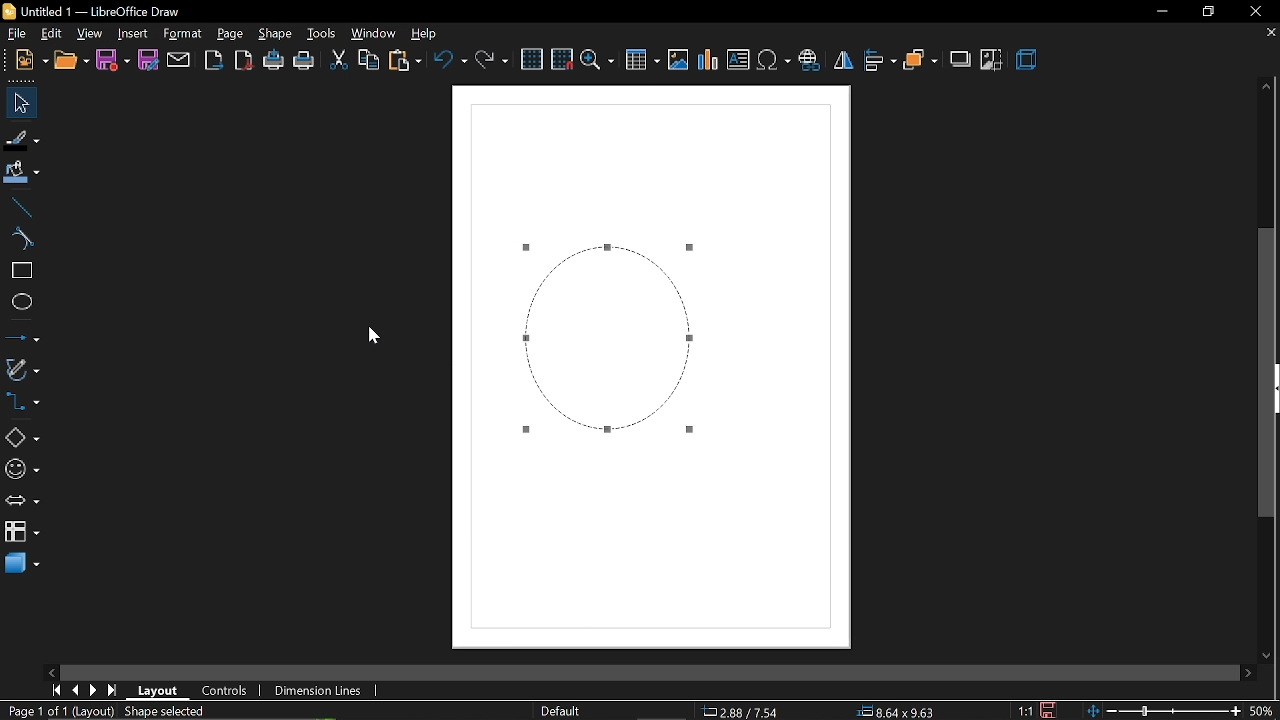 The height and width of the screenshot is (720, 1280). What do you see at coordinates (404, 63) in the screenshot?
I see `paste` at bounding box center [404, 63].